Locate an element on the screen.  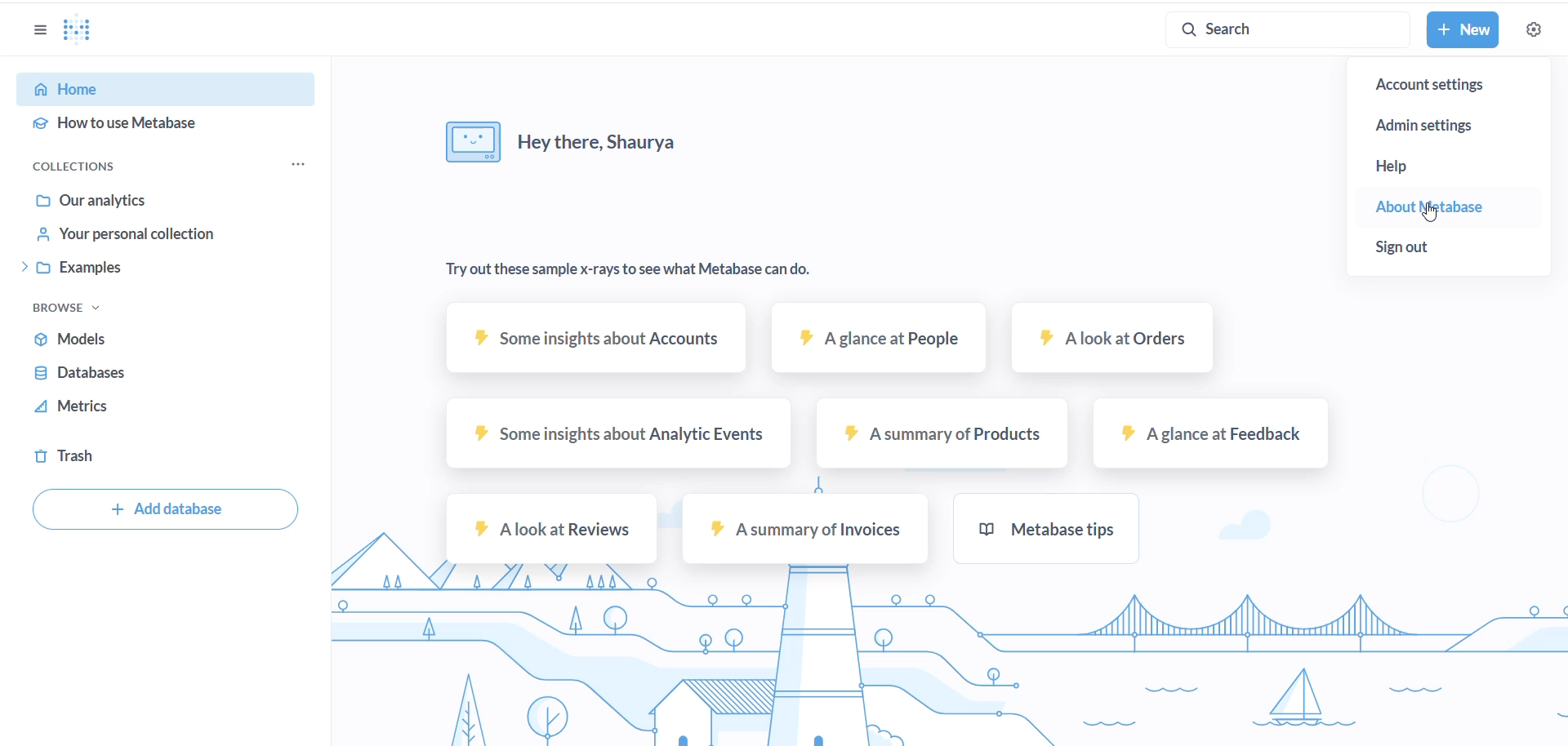
some insights about account sample is located at coordinates (597, 344).